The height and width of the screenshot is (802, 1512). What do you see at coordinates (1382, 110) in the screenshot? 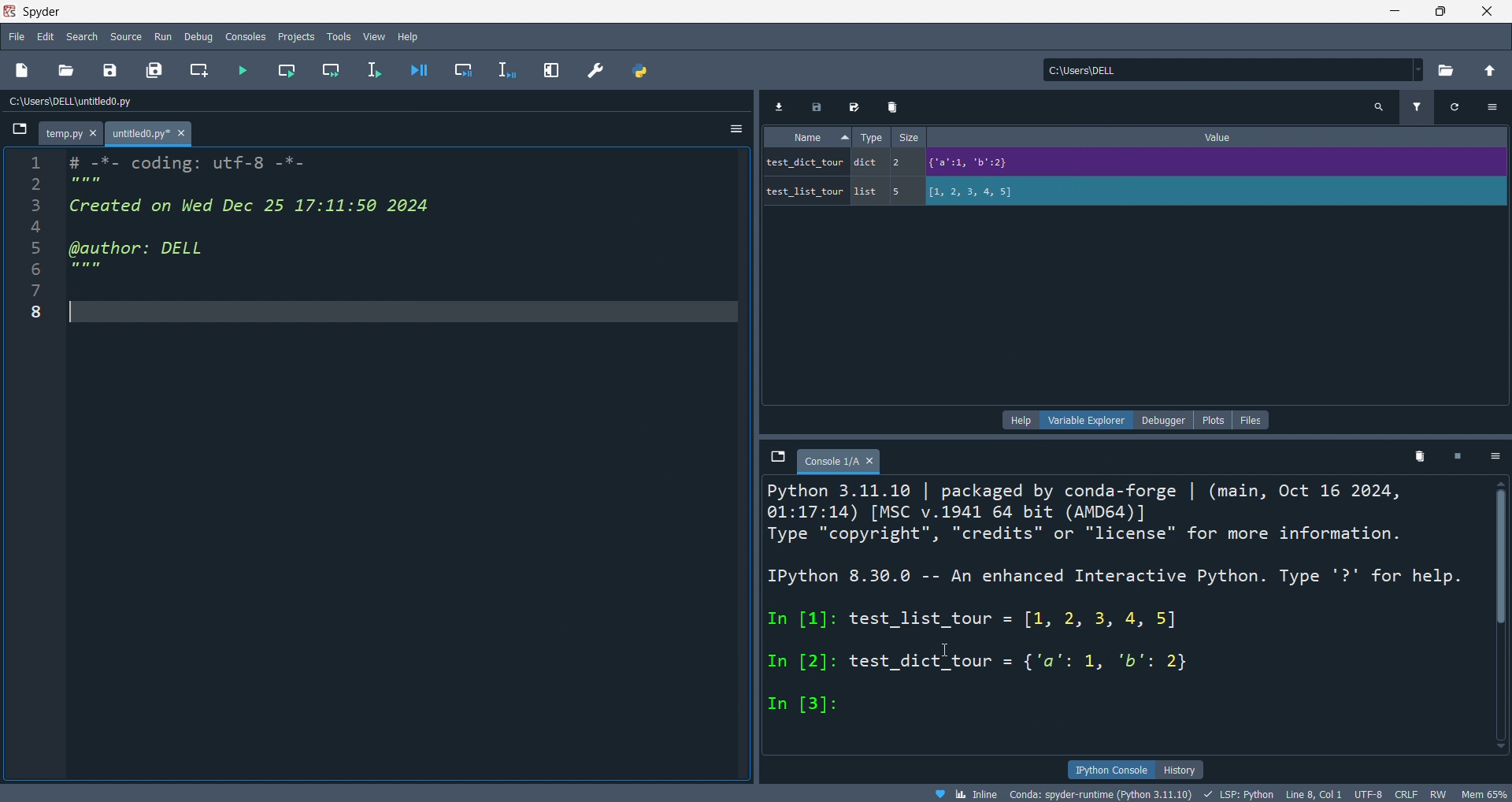
I see `search variables` at bounding box center [1382, 110].